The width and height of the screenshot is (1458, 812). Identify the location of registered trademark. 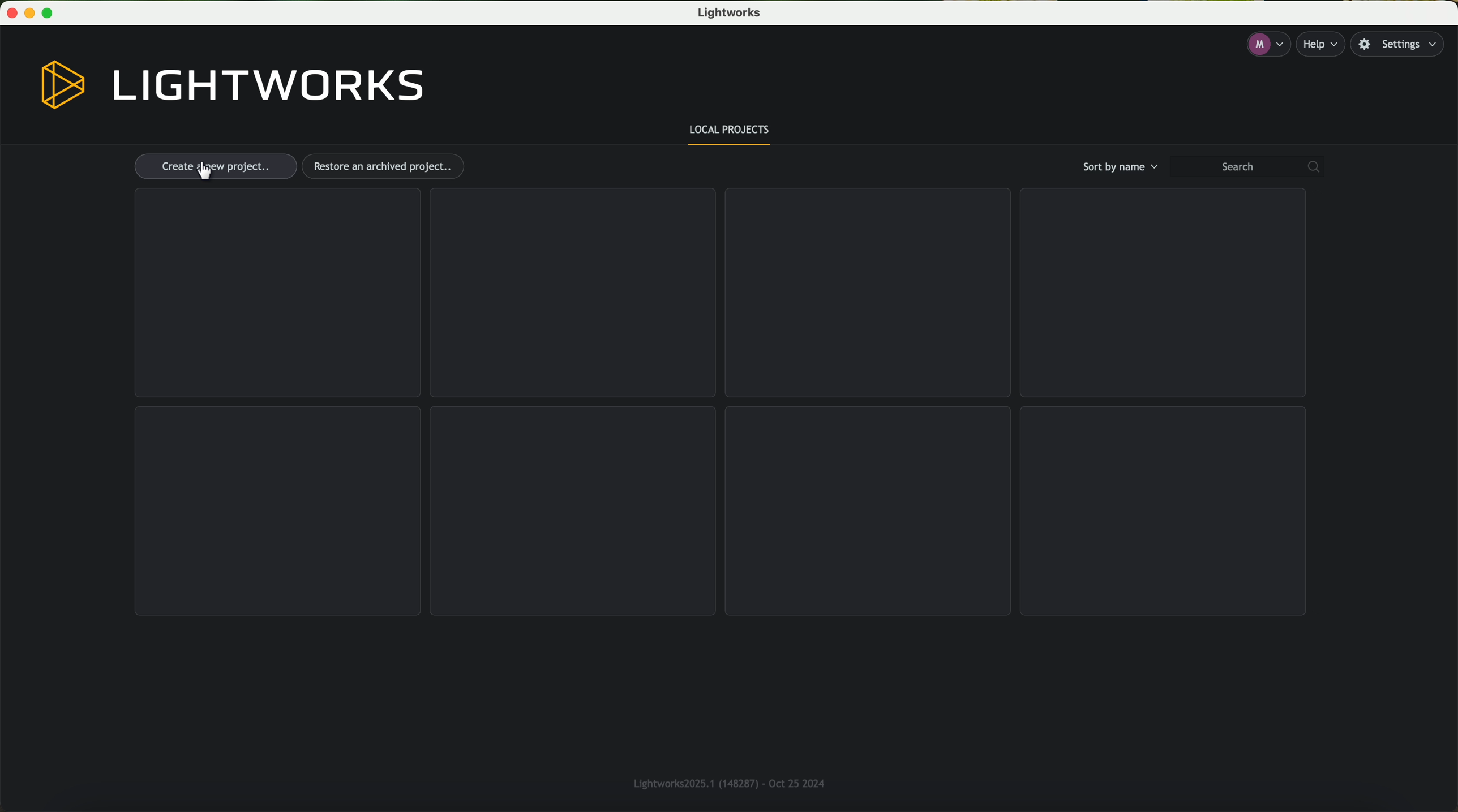
(725, 781).